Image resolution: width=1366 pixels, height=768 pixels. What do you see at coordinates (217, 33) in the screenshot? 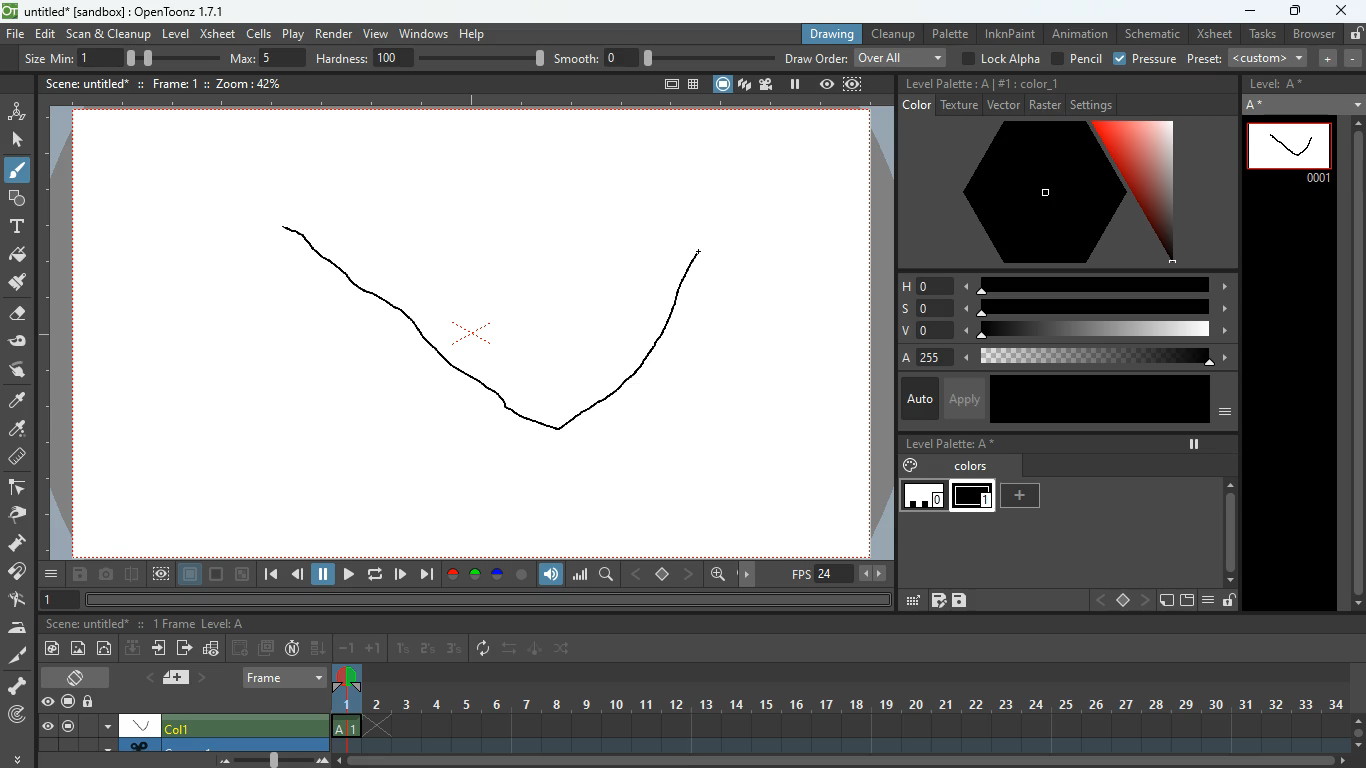
I see `xsheet` at bounding box center [217, 33].